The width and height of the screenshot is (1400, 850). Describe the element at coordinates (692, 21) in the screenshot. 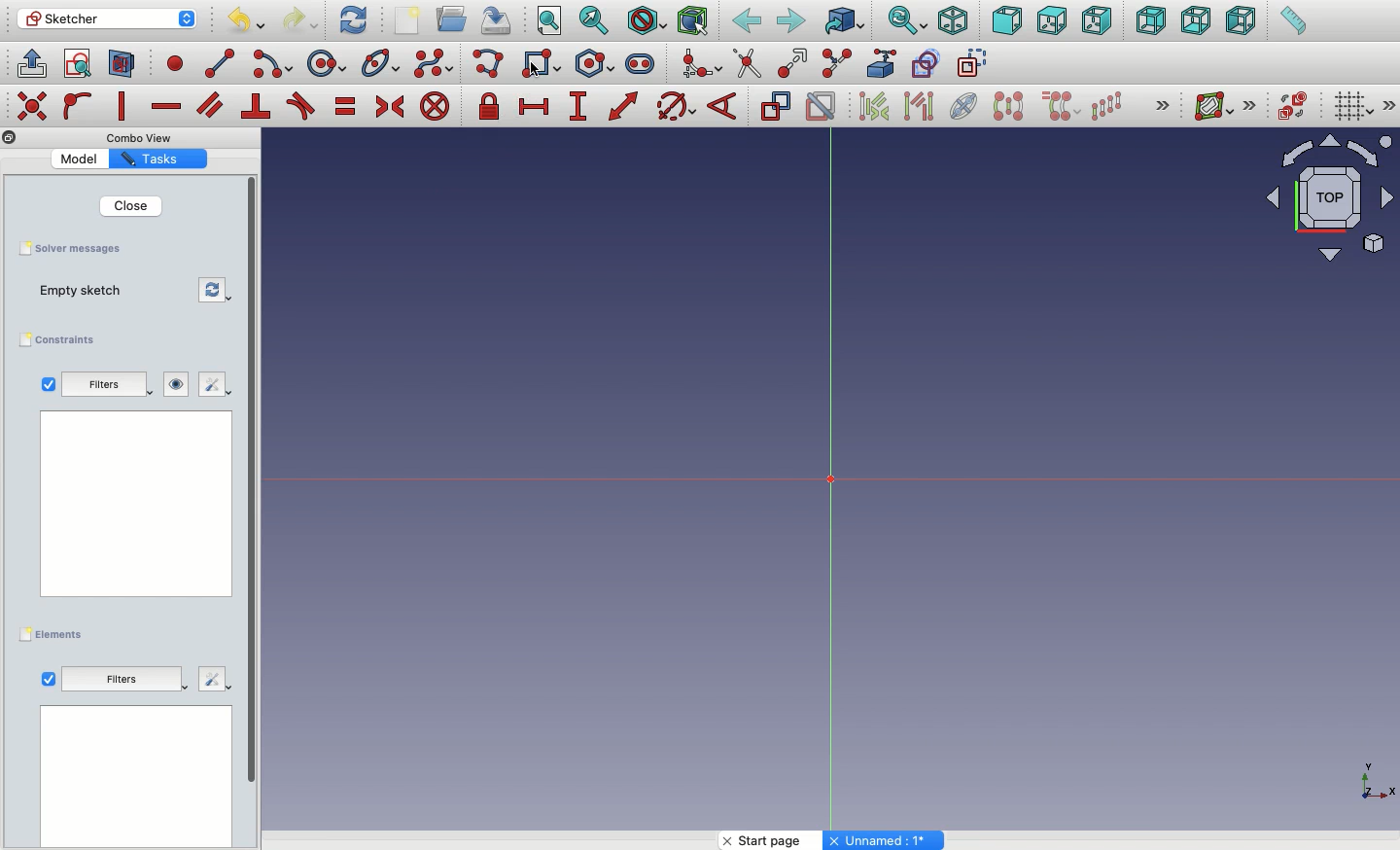

I see `Bounding Box` at that location.